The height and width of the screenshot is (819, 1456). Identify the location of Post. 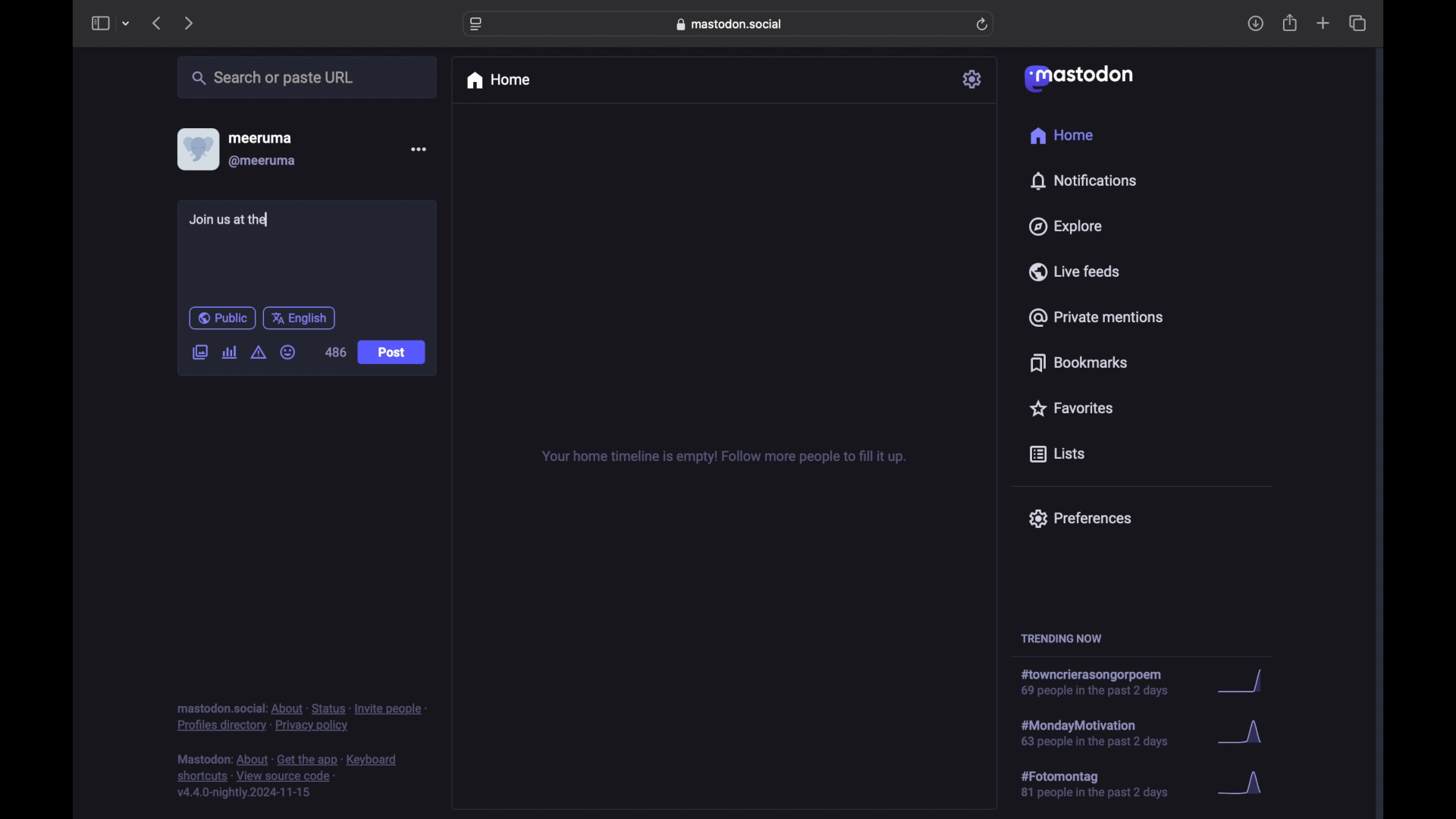
(394, 354).